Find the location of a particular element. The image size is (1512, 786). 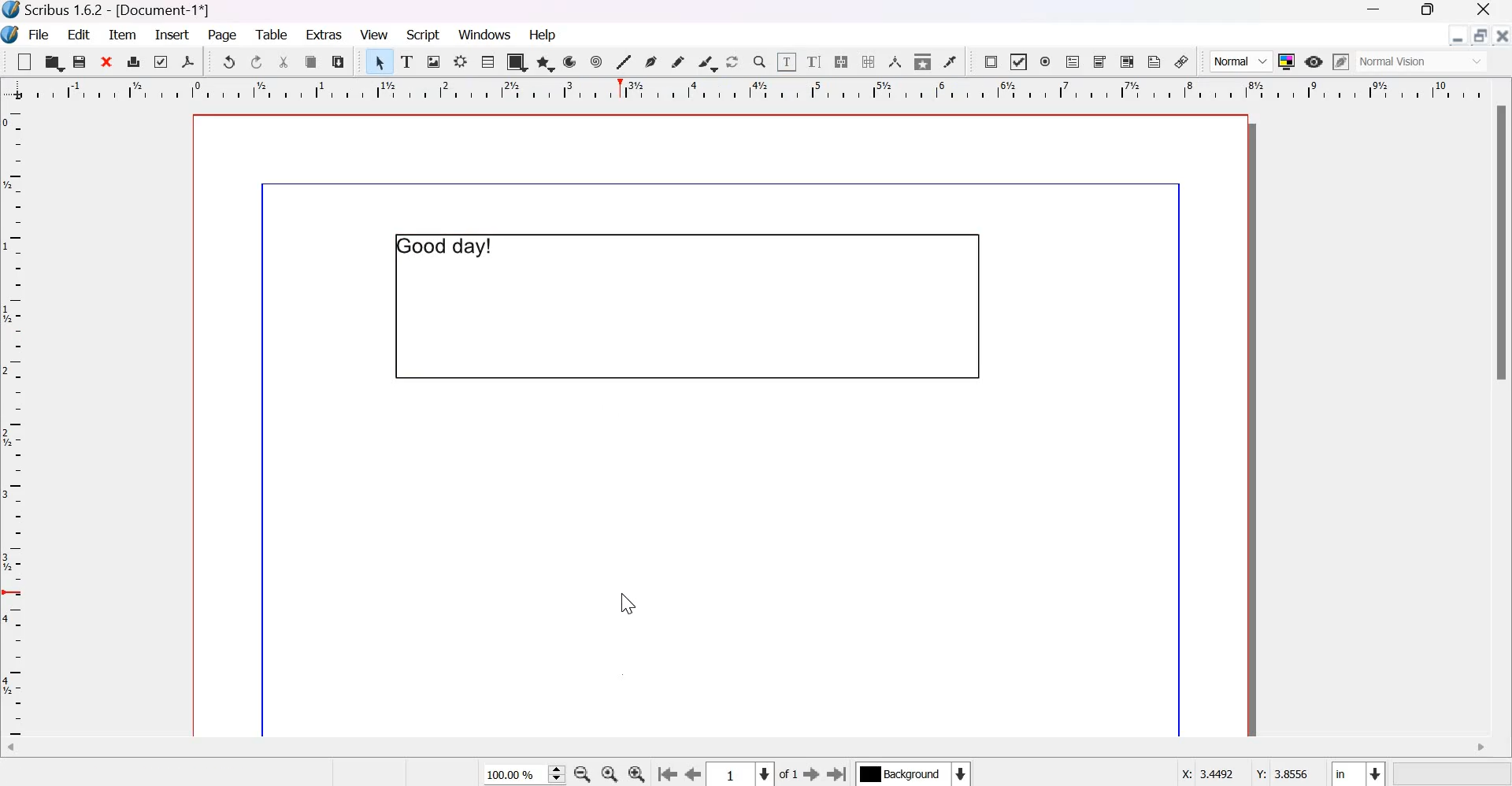

render frame is located at coordinates (461, 61).